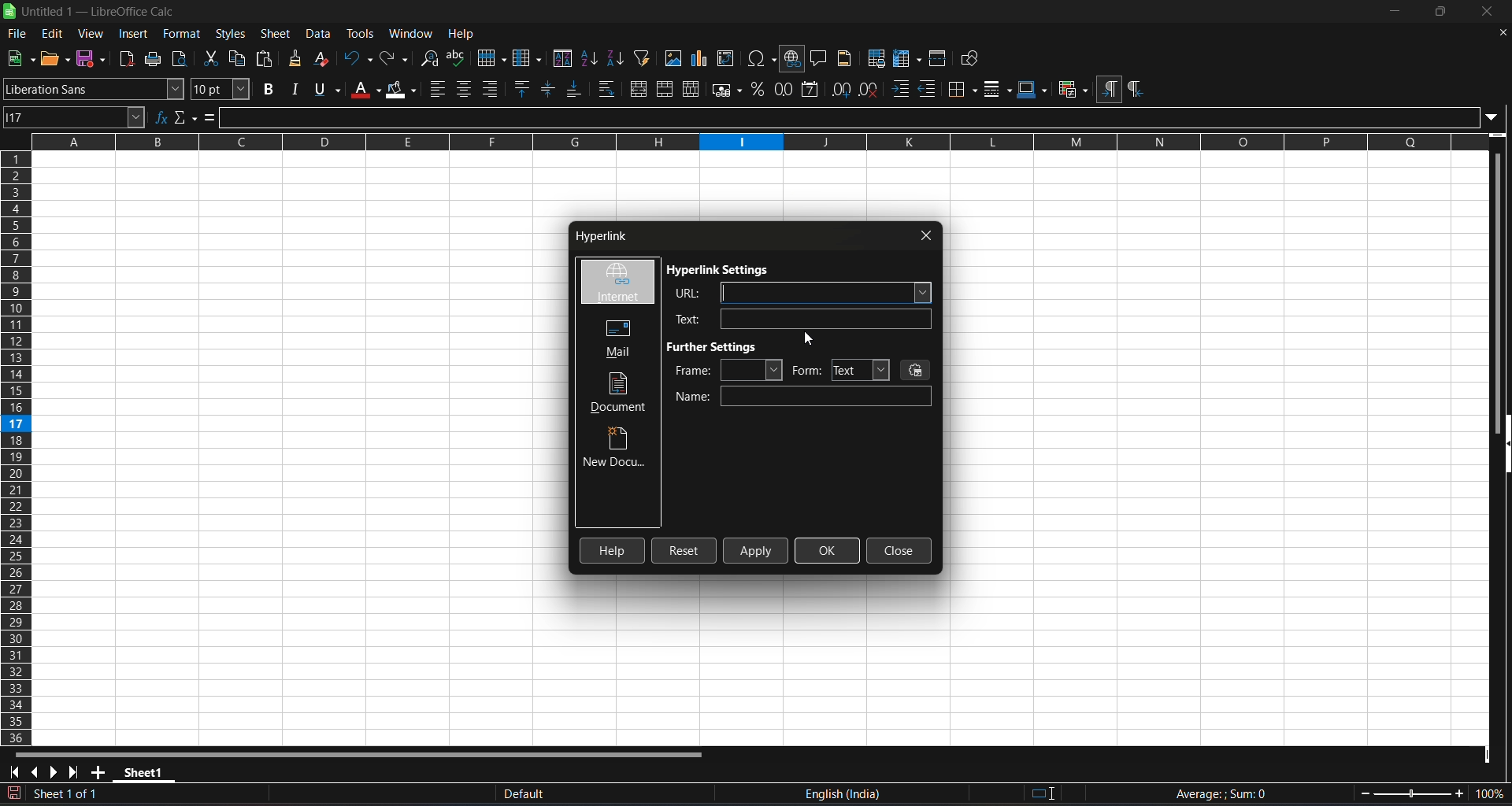  I want to click on border styles, so click(998, 89).